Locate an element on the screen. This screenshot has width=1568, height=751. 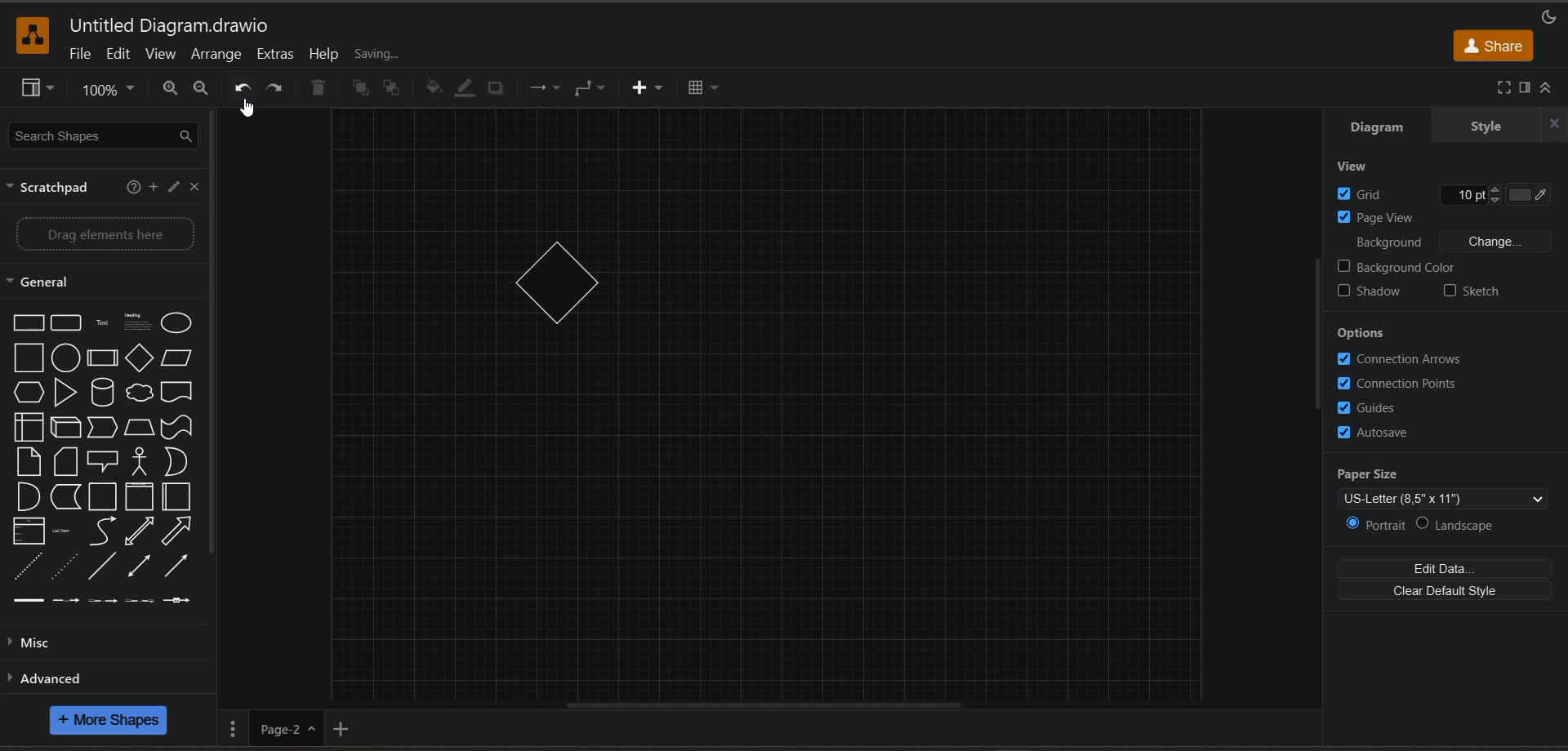
more shapes is located at coordinates (113, 722).